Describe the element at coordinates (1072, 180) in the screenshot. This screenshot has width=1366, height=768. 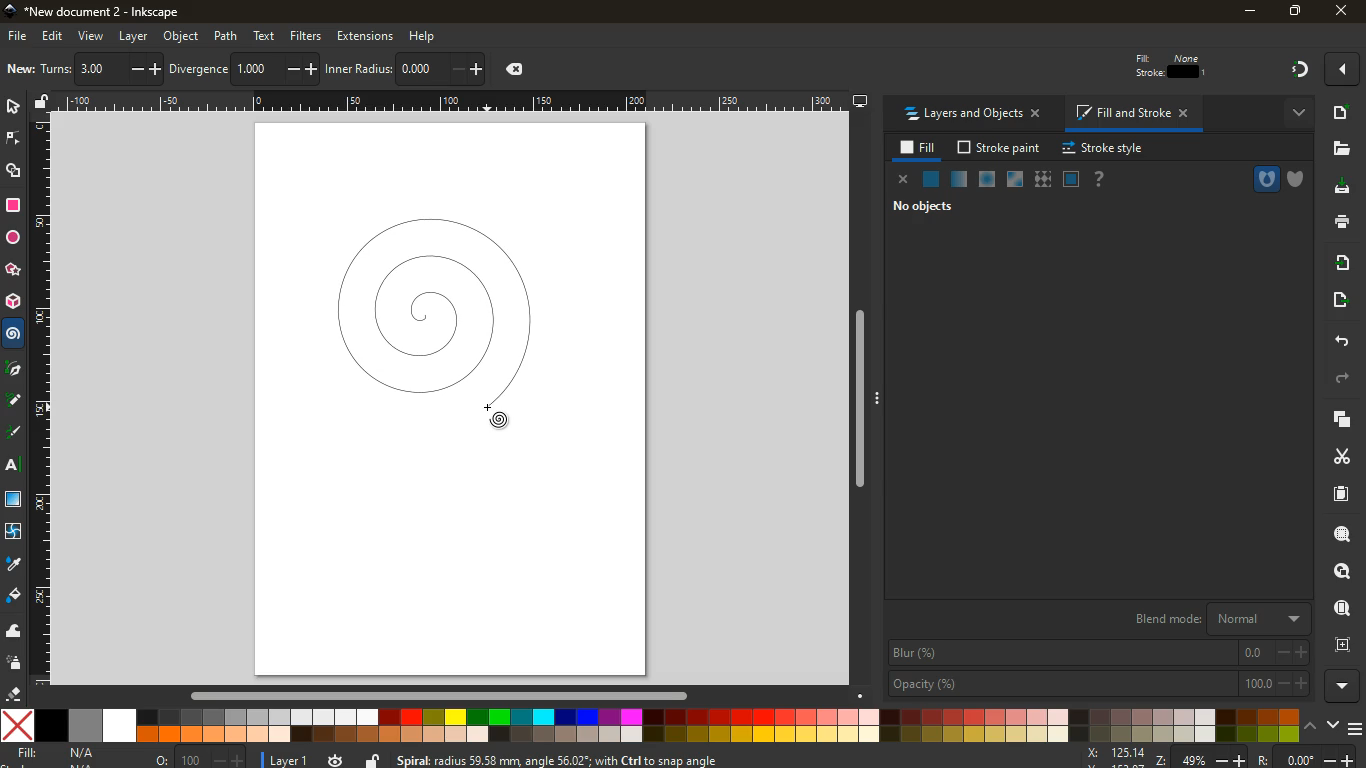
I see `screen` at that location.